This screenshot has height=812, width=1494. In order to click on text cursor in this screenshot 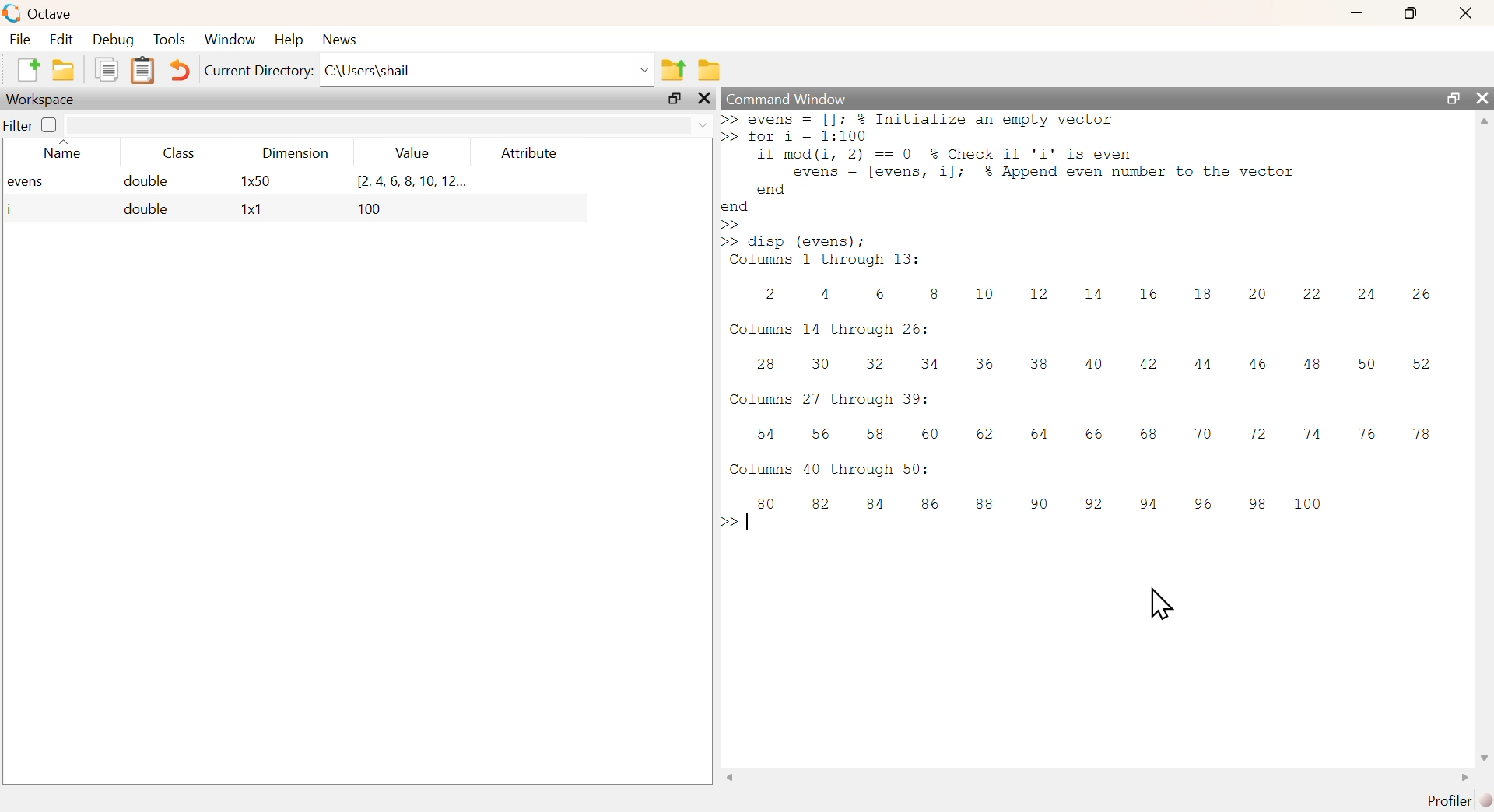, I will do `click(751, 520)`.